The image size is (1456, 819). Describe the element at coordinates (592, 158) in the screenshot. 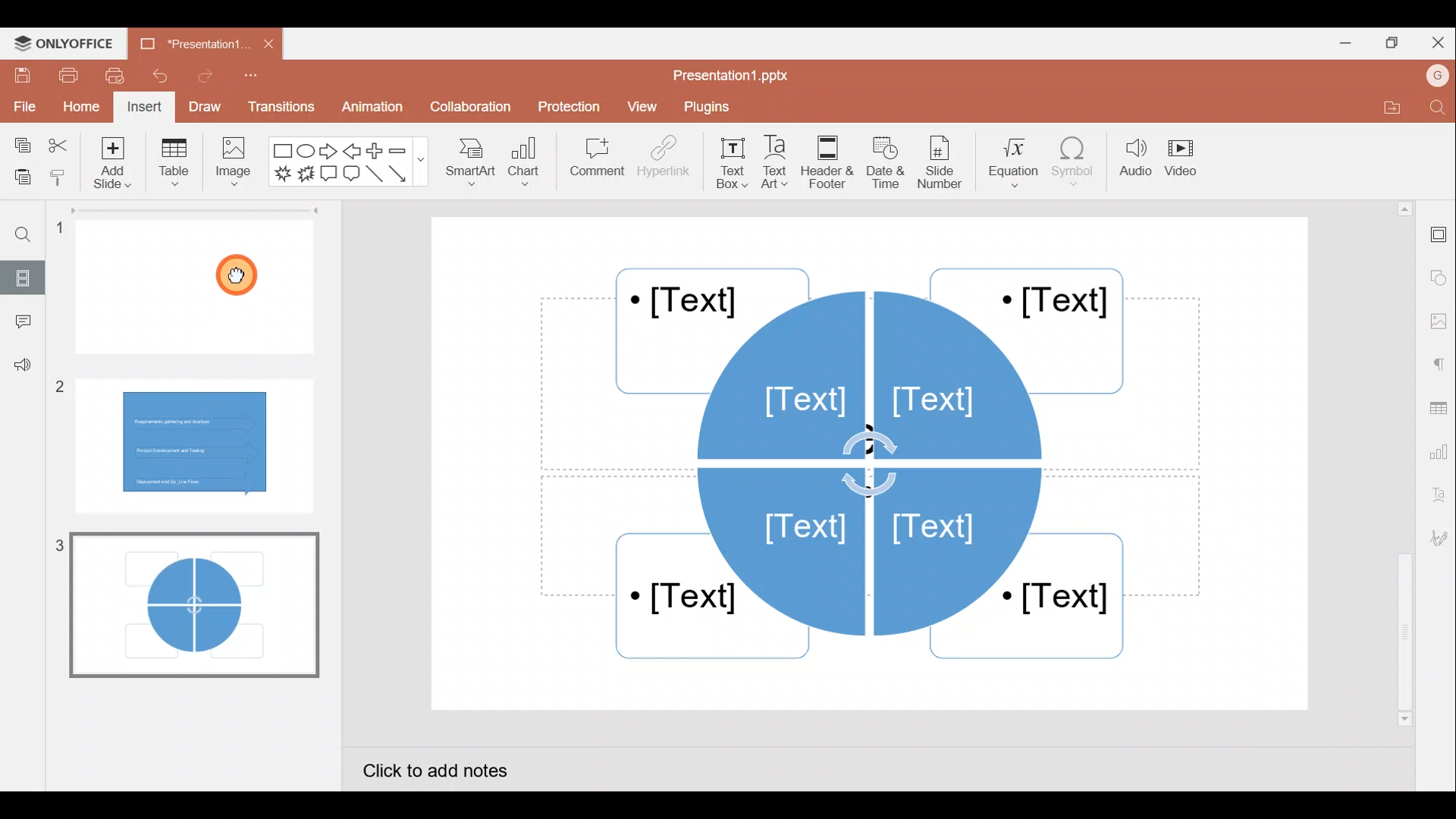

I see `Comment` at that location.